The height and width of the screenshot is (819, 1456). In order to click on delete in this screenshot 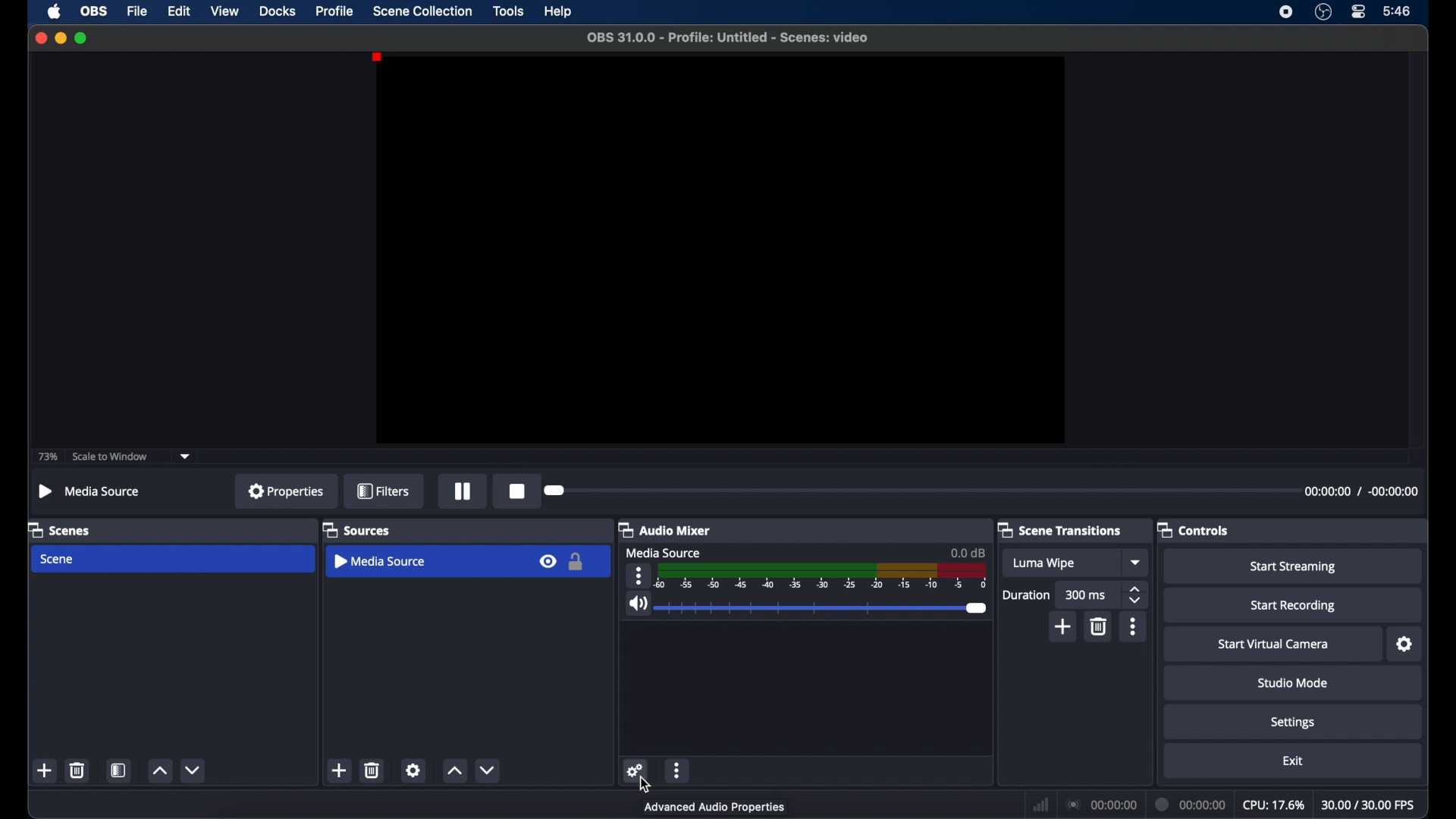, I will do `click(1097, 626)`.